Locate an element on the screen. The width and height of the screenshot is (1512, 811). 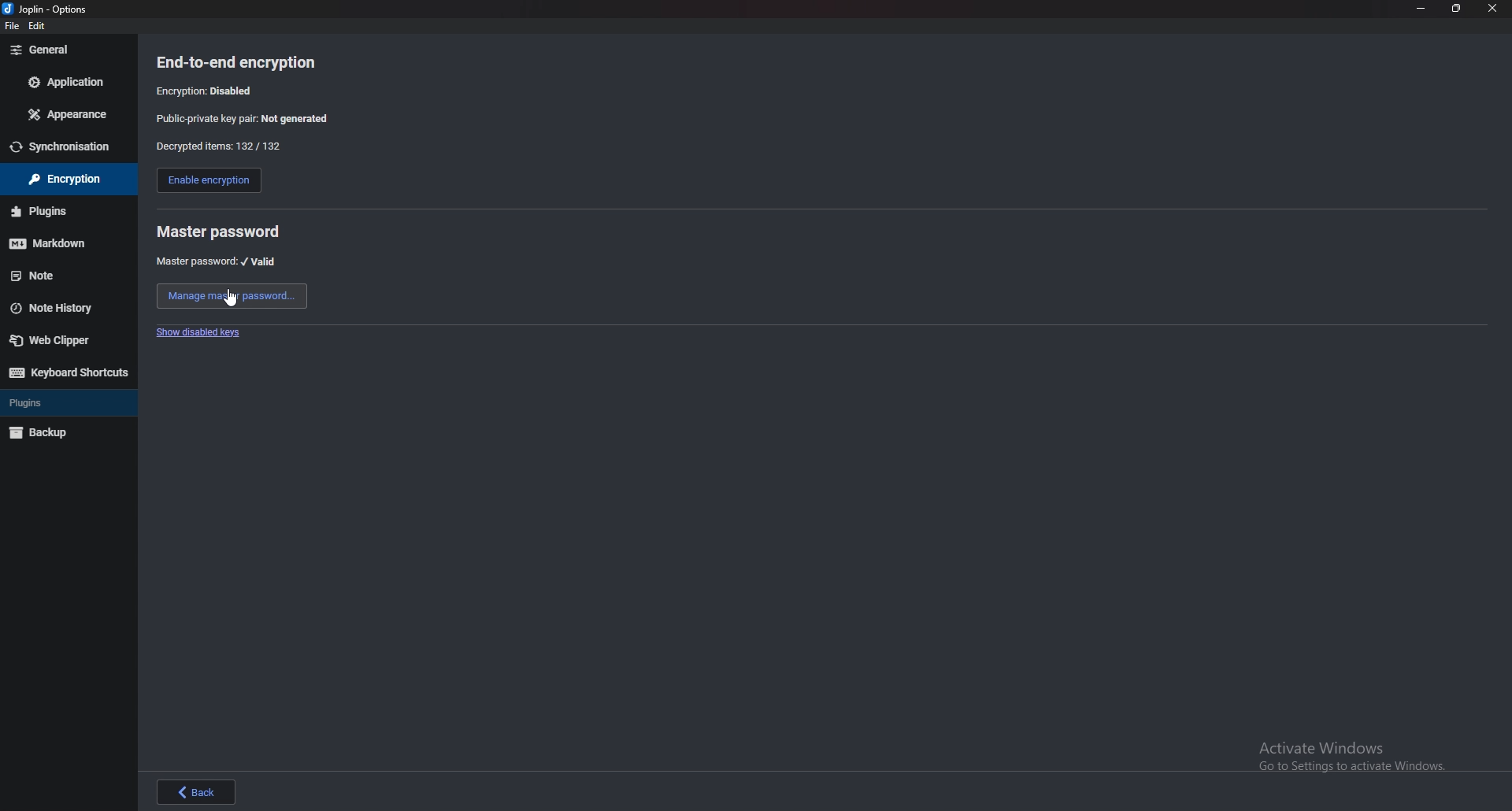
backup is located at coordinates (61, 434).